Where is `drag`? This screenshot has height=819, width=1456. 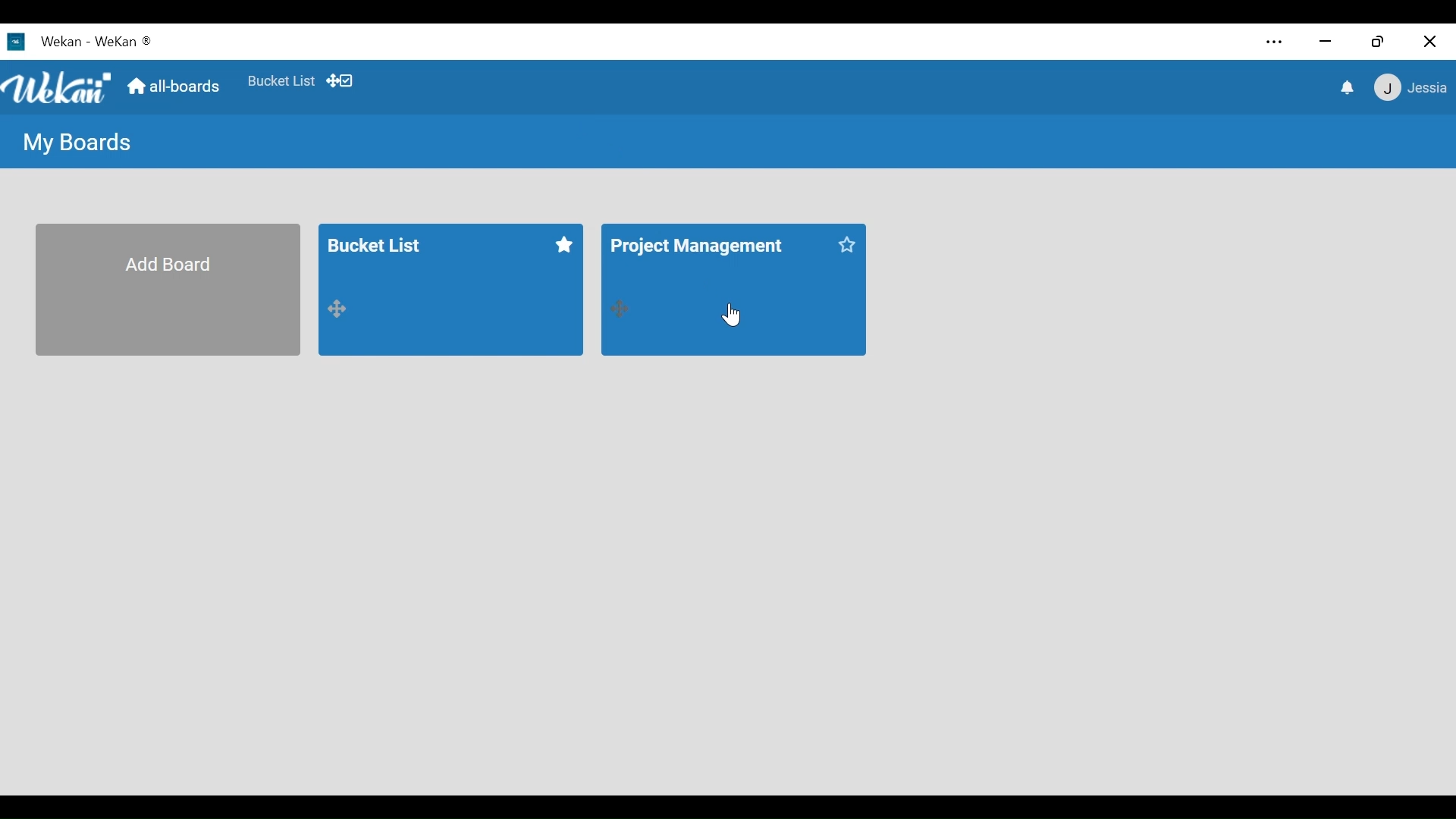
drag is located at coordinates (620, 309).